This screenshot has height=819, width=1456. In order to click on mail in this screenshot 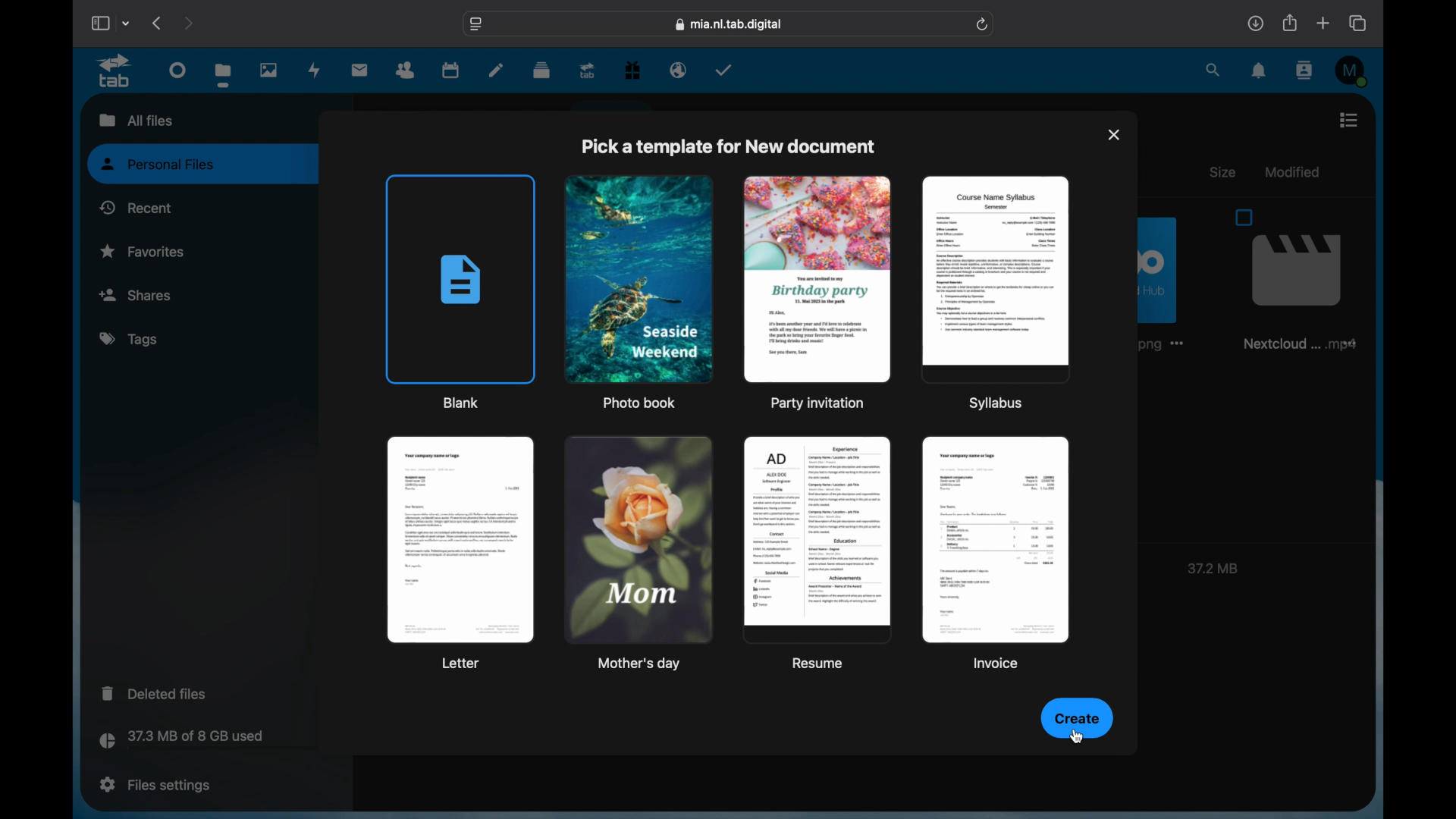, I will do `click(360, 71)`.